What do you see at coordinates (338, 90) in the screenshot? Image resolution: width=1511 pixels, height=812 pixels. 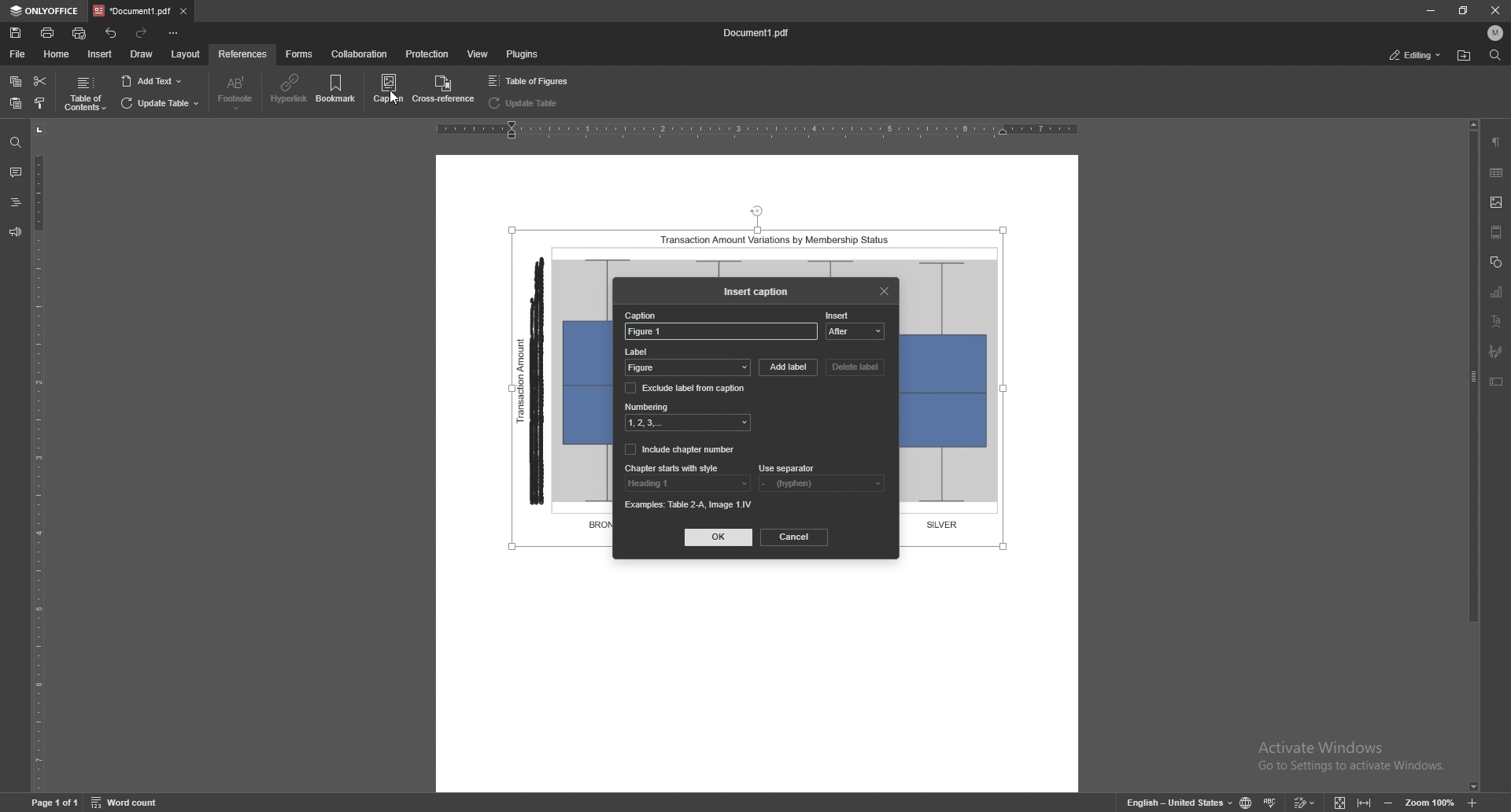 I see `bookmark` at bounding box center [338, 90].